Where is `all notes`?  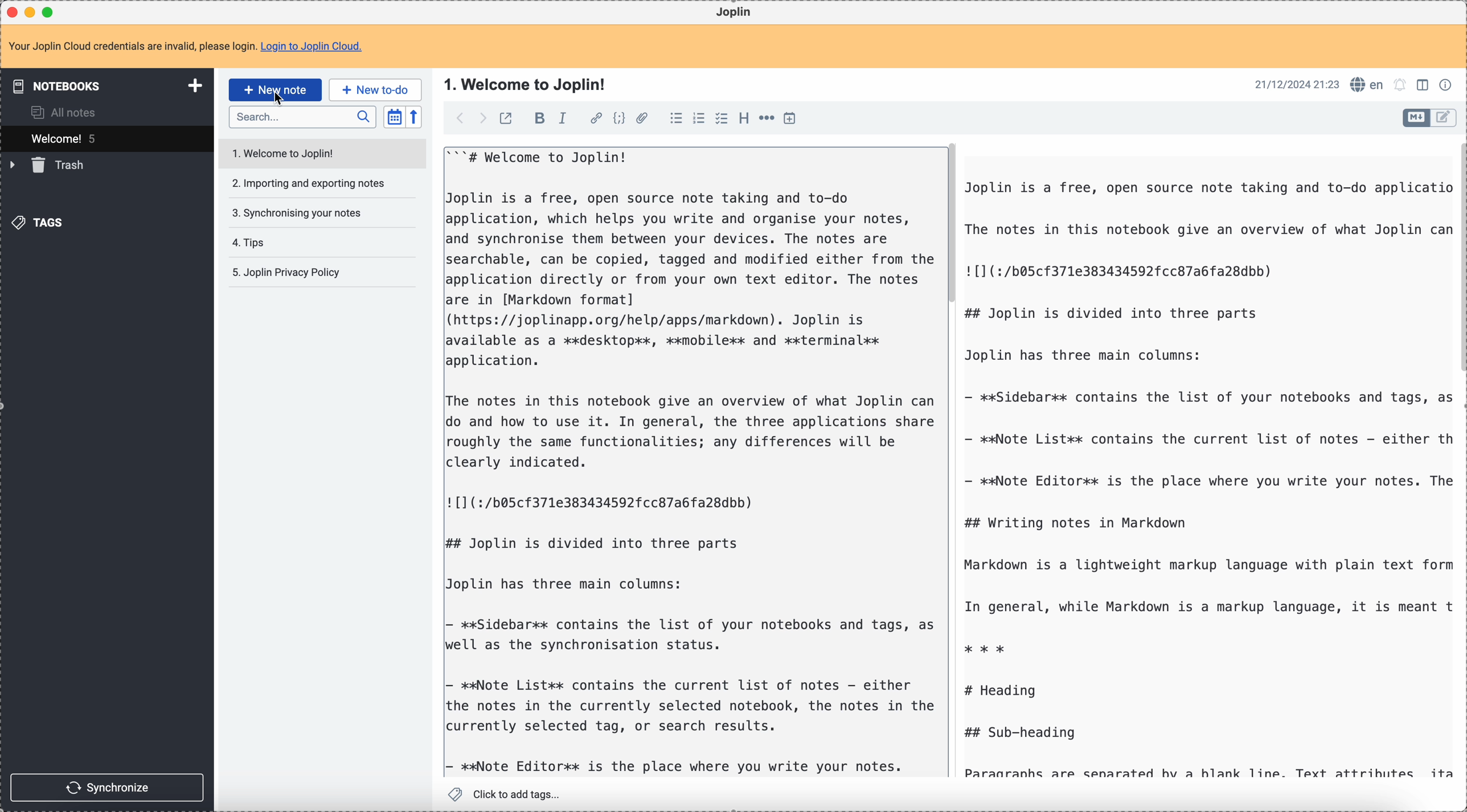 all notes is located at coordinates (65, 112).